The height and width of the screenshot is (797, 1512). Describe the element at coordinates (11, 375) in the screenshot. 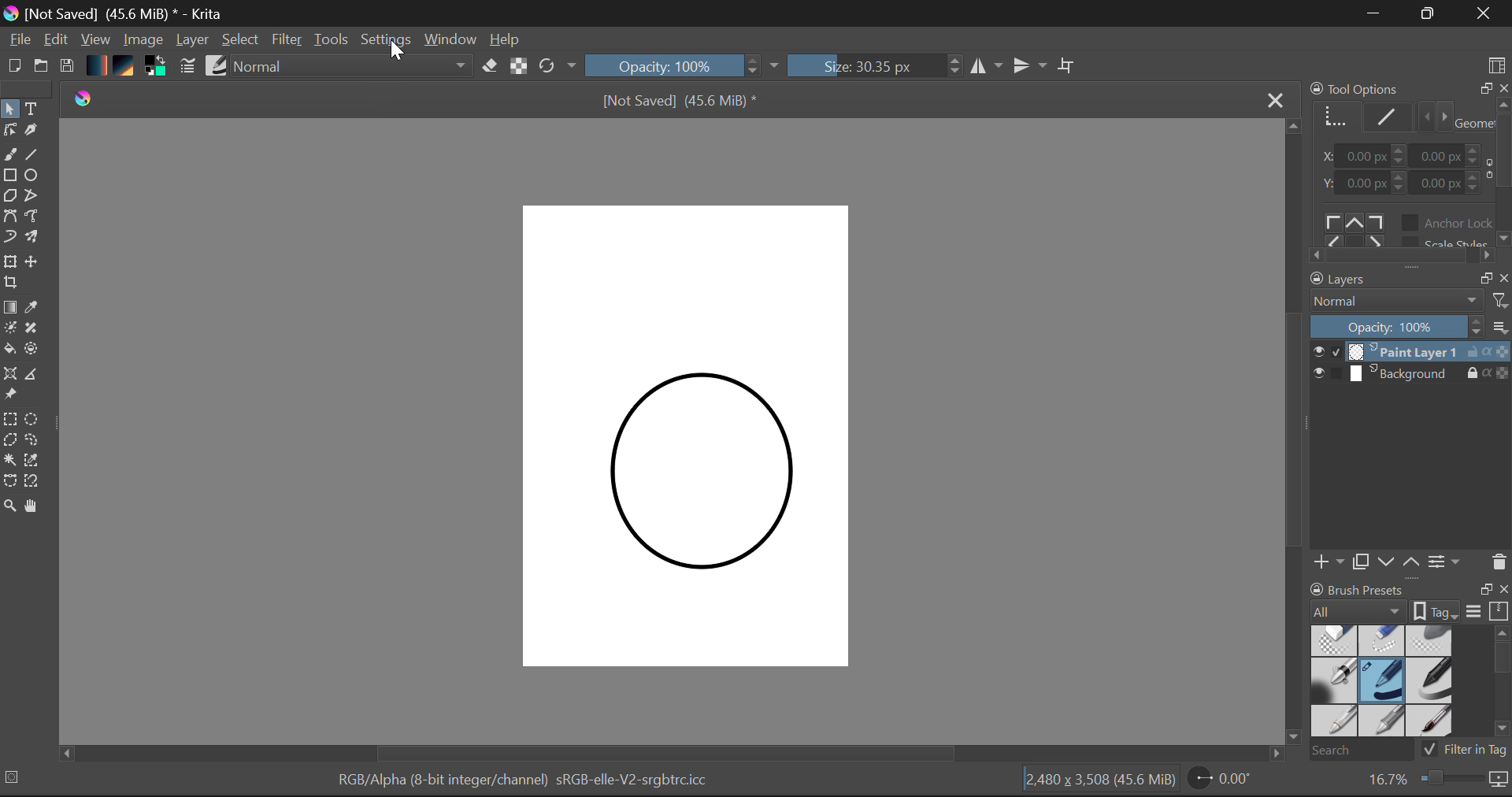

I see `Assistant Tool` at that location.